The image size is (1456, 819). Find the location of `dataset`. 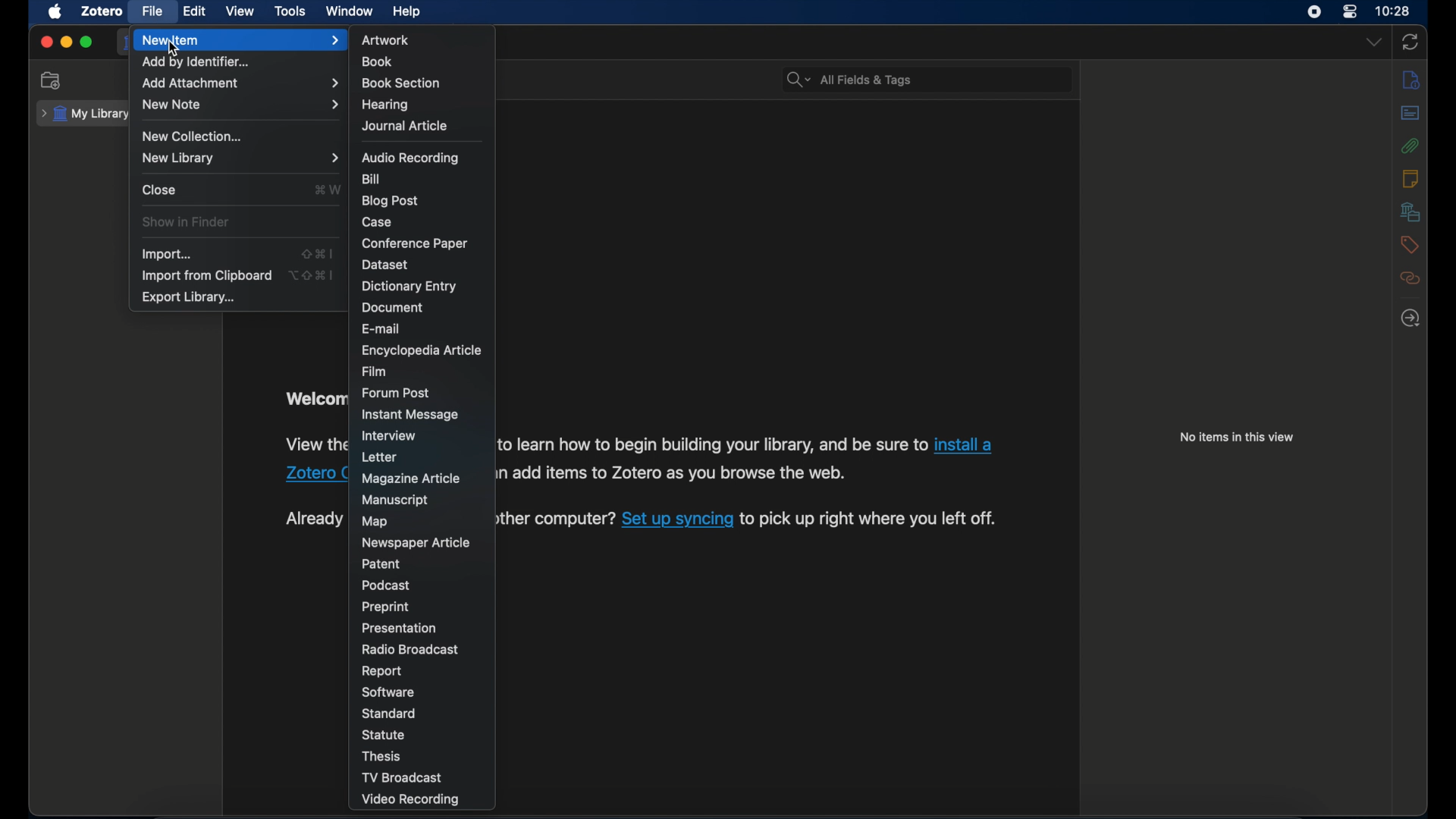

dataset is located at coordinates (385, 265).